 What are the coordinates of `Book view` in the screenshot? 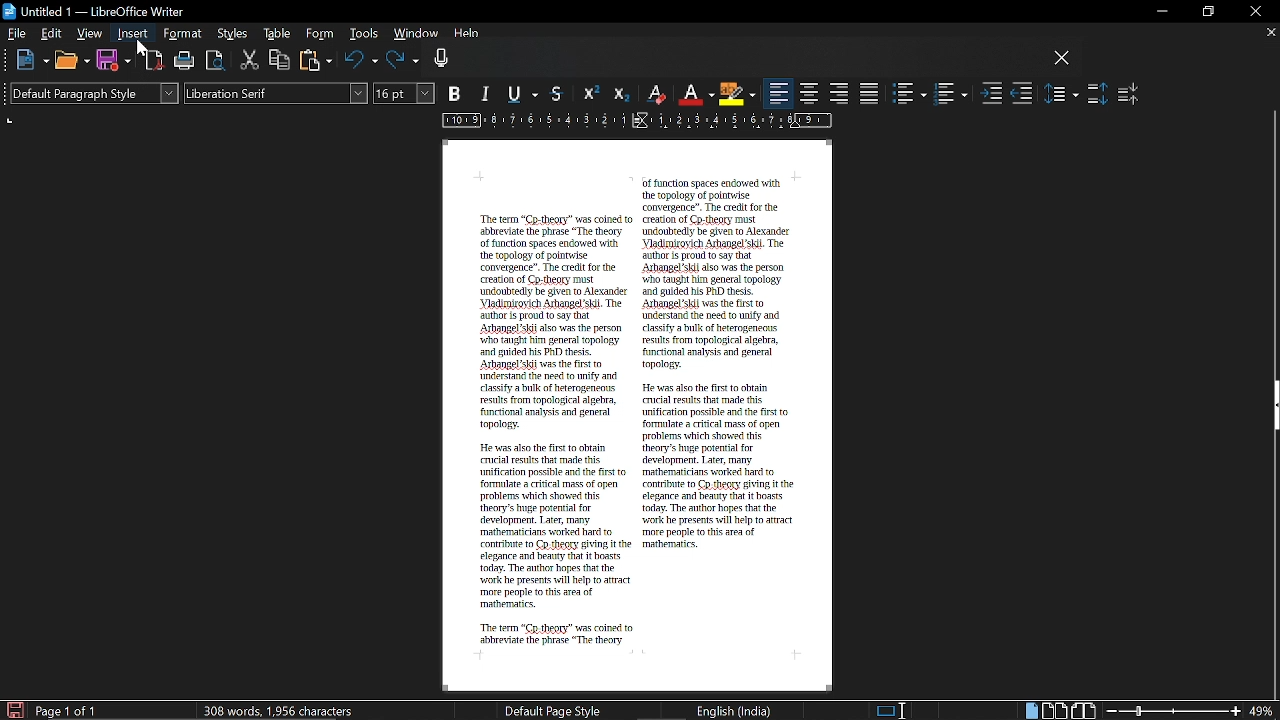 It's located at (1085, 710).